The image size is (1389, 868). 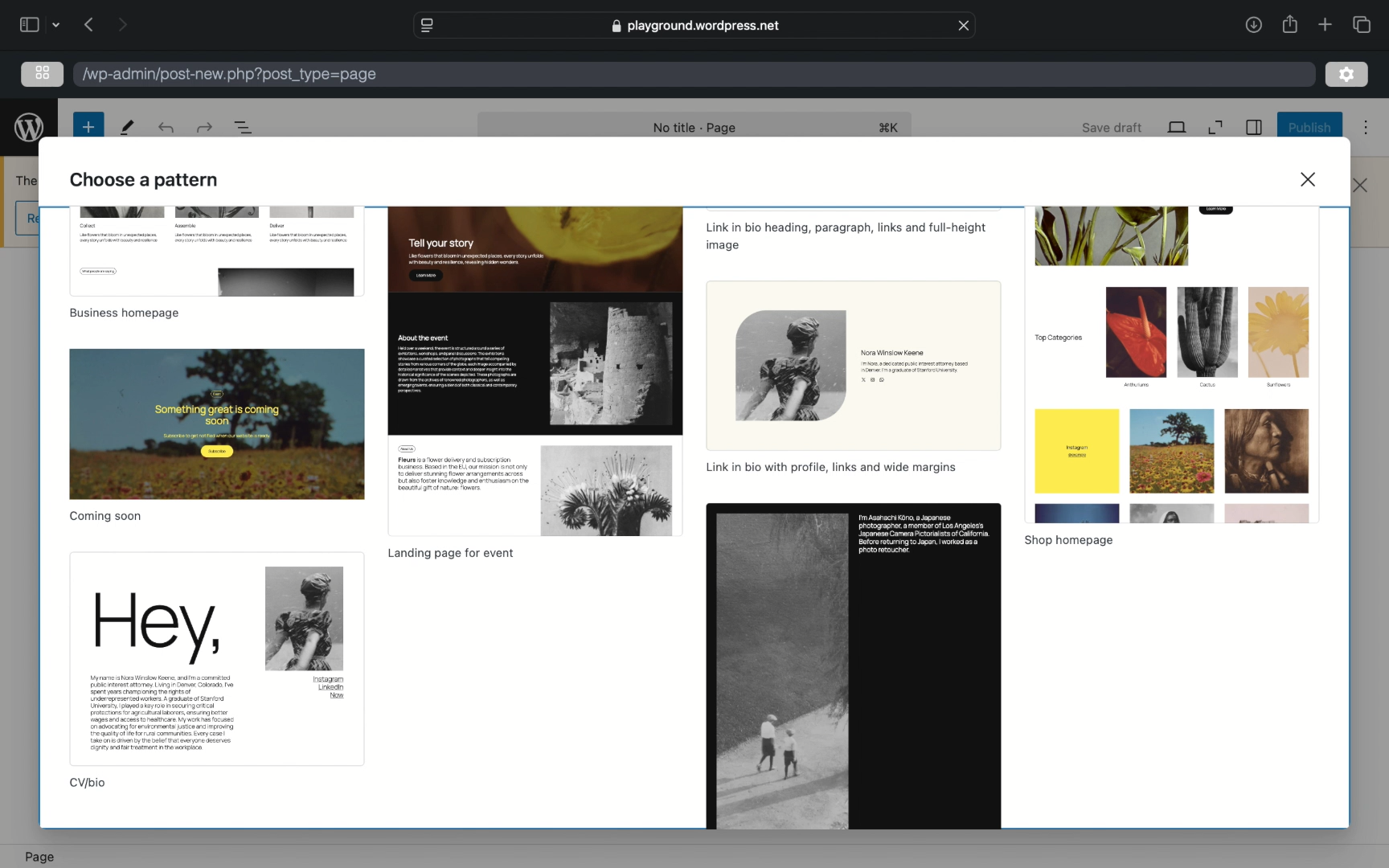 What do you see at coordinates (1324, 25) in the screenshot?
I see `new tab` at bounding box center [1324, 25].